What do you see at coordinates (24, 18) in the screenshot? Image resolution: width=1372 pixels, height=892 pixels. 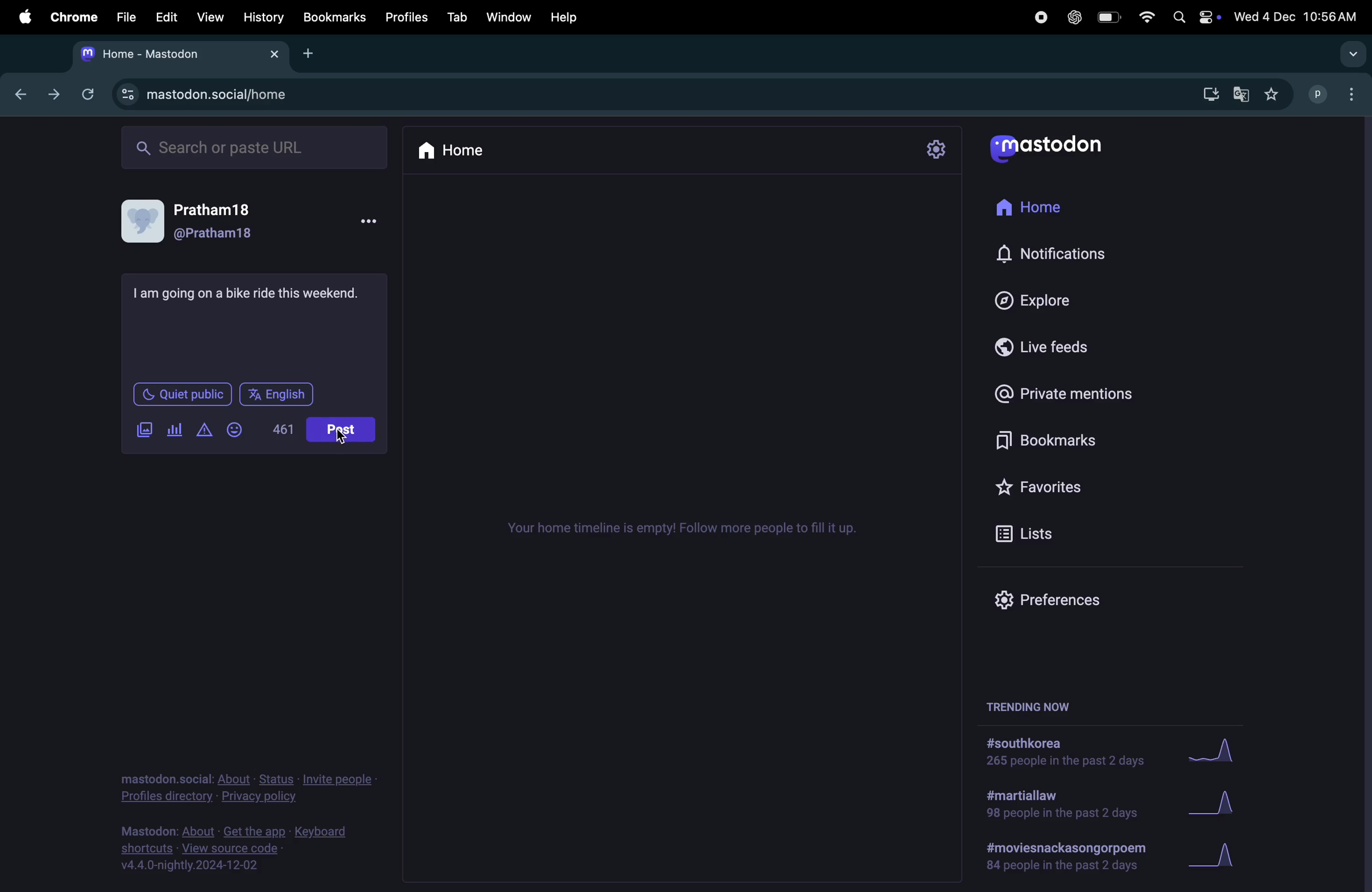 I see `apple menu` at bounding box center [24, 18].